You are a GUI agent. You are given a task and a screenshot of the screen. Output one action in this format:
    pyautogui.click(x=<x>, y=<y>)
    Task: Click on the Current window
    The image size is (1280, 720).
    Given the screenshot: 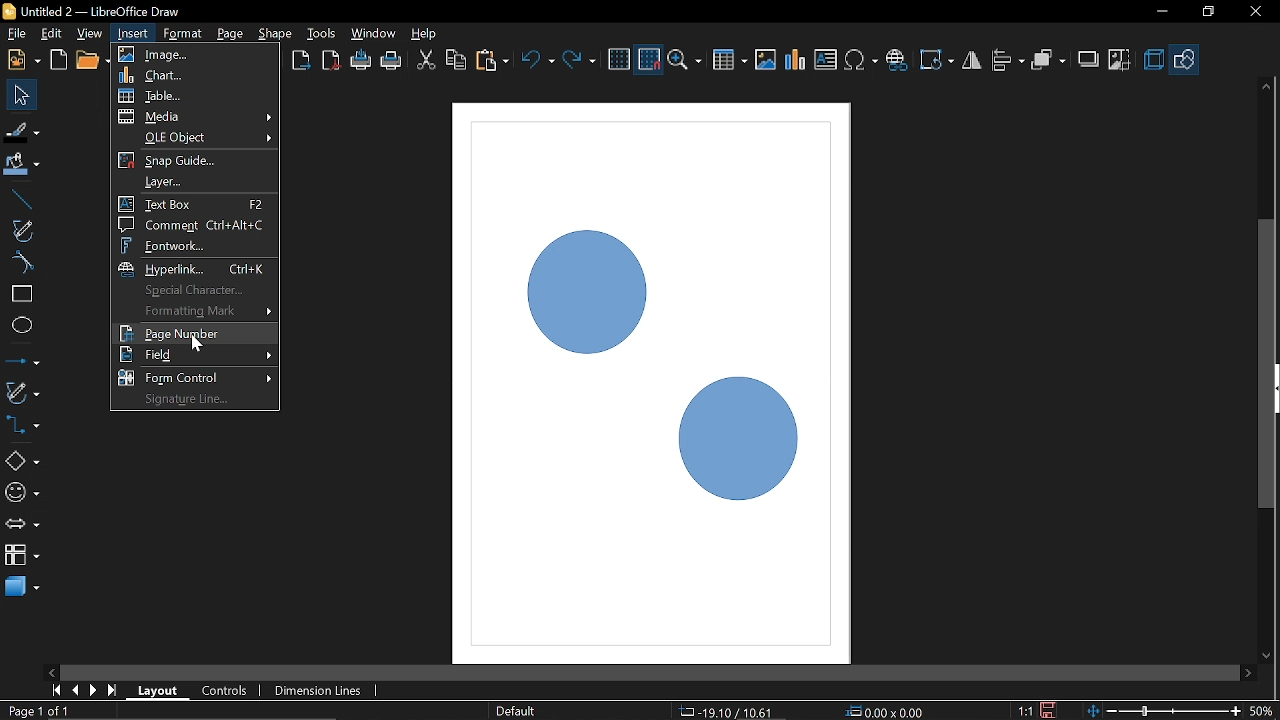 What is the action you would take?
    pyautogui.click(x=90, y=11)
    